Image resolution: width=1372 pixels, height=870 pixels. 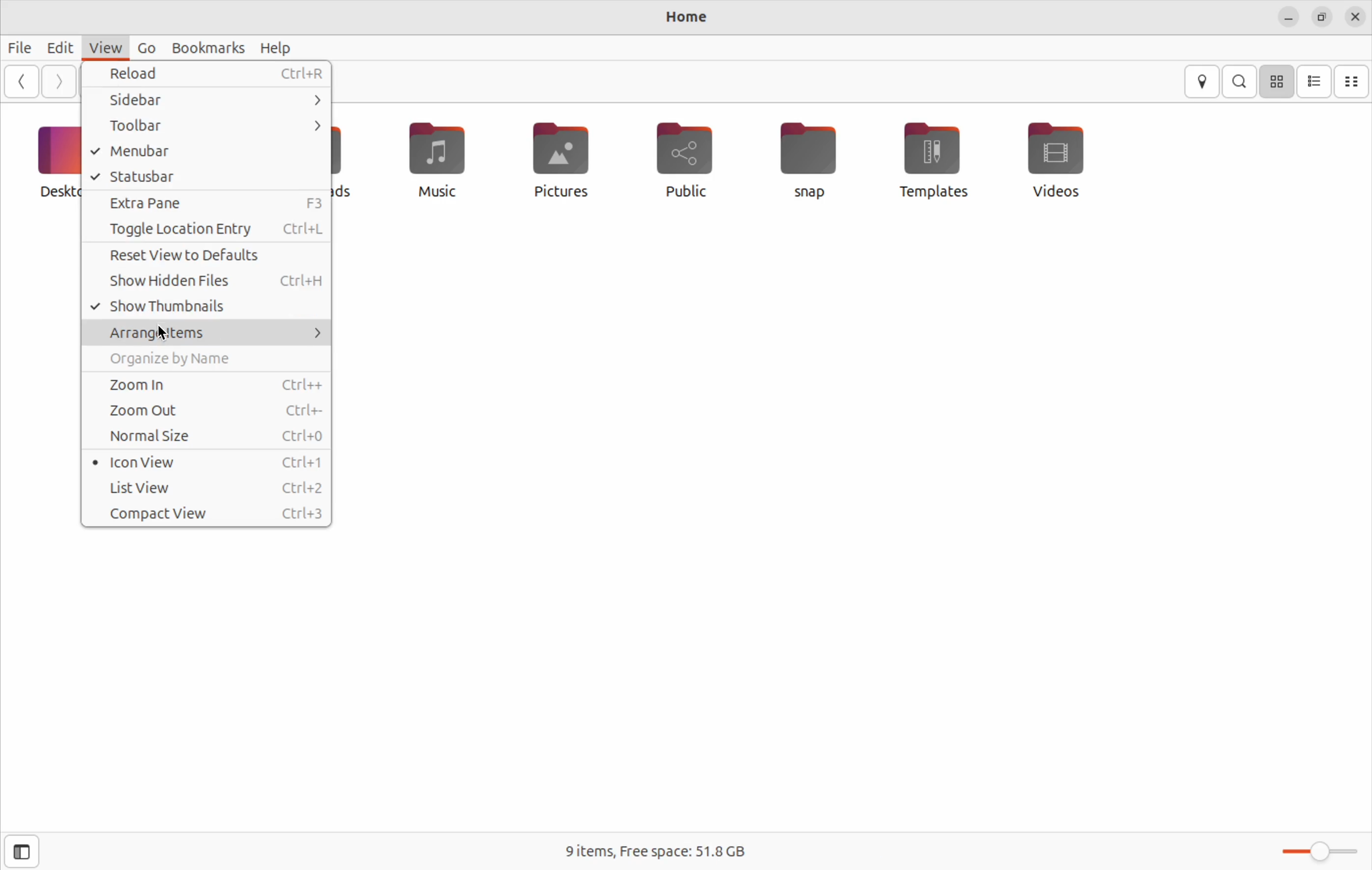 I want to click on compact view, so click(x=1354, y=81).